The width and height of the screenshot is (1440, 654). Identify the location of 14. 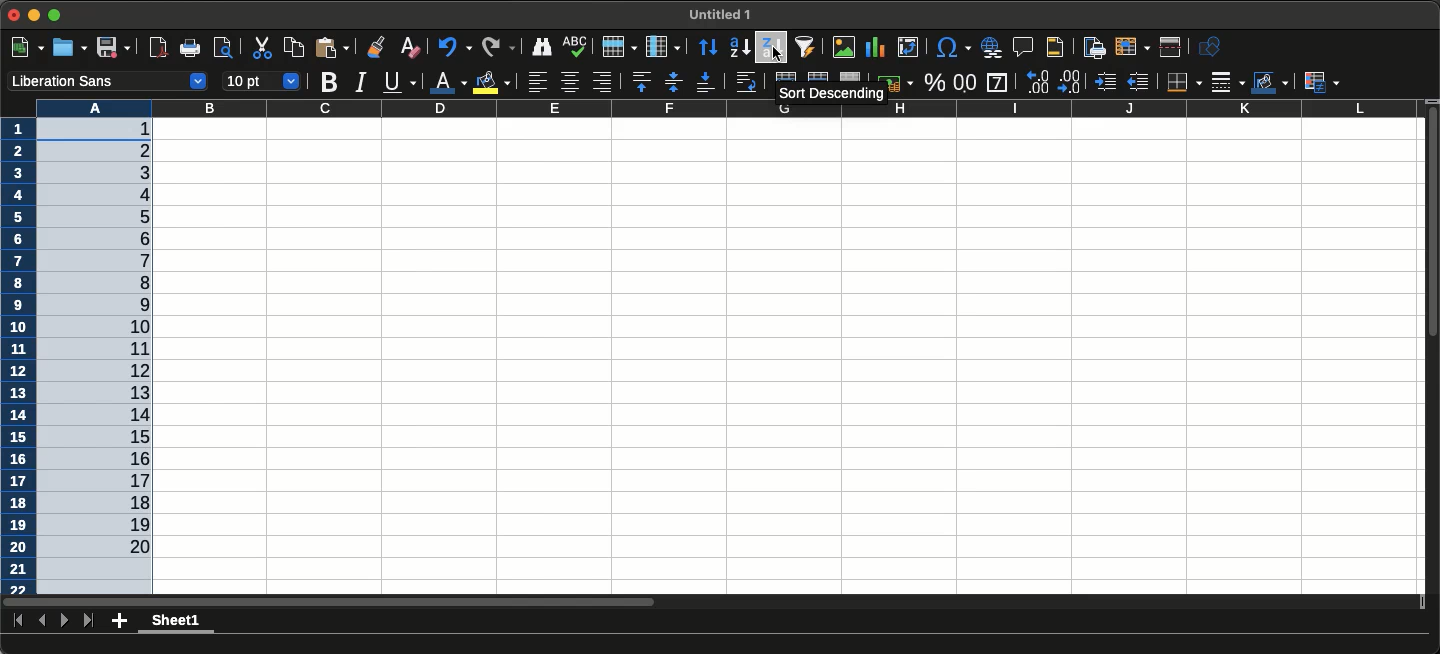
(130, 412).